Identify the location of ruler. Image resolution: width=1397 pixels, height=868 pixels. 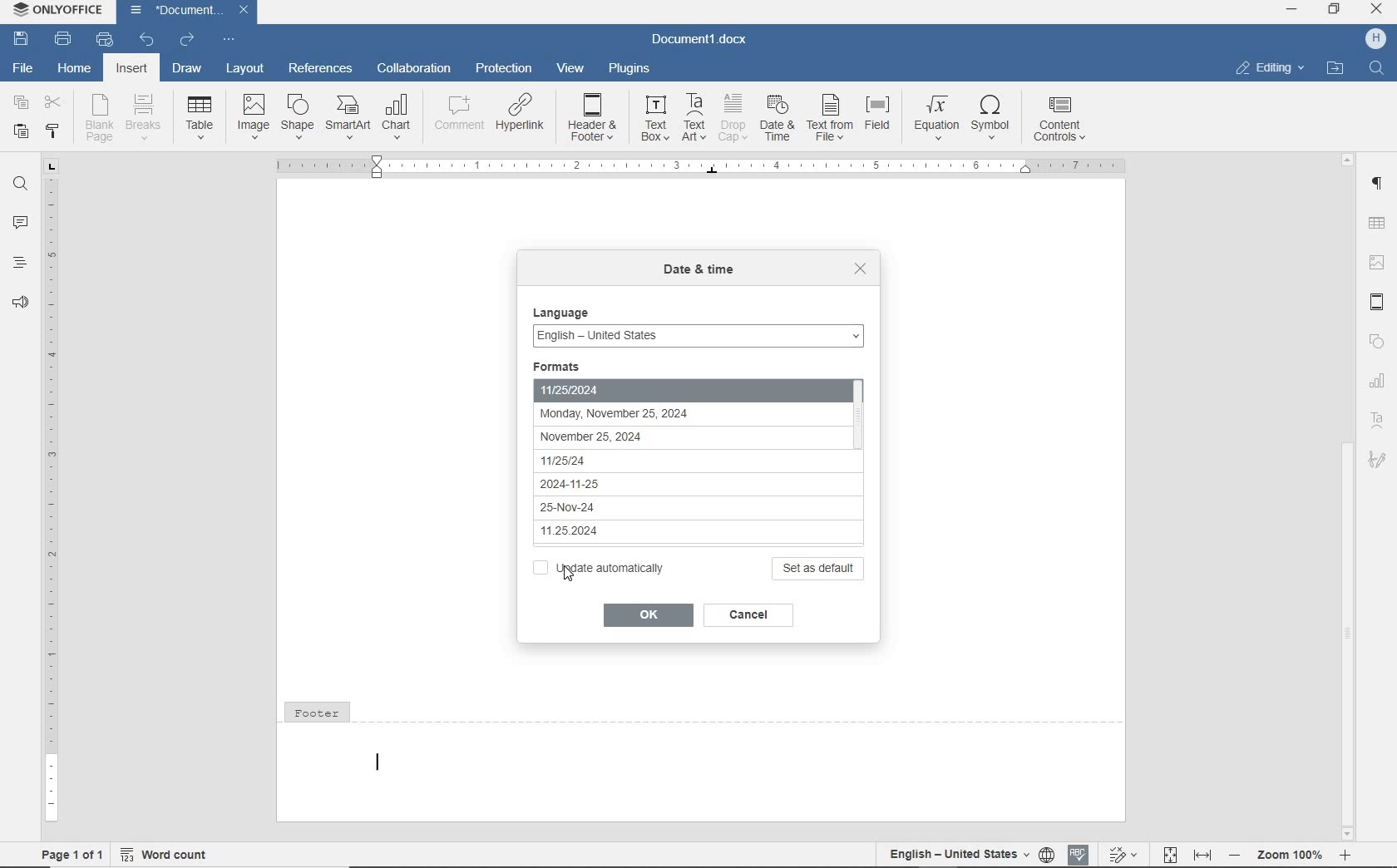
(49, 491).